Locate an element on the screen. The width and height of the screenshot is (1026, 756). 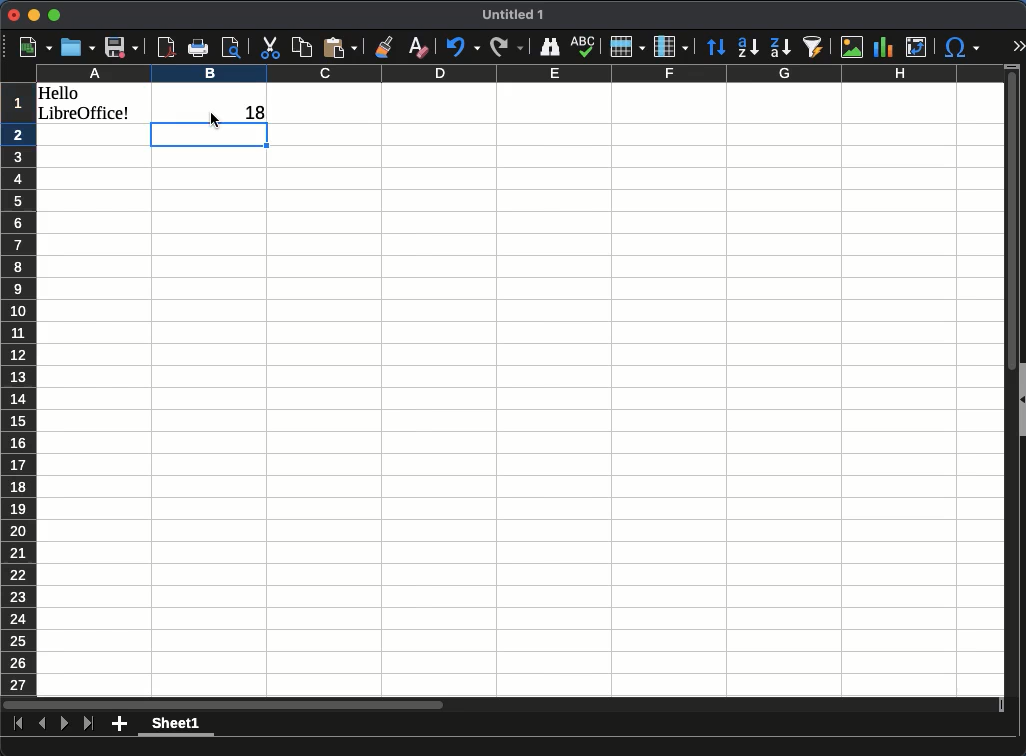
clear formatting is located at coordinates (414, 47).